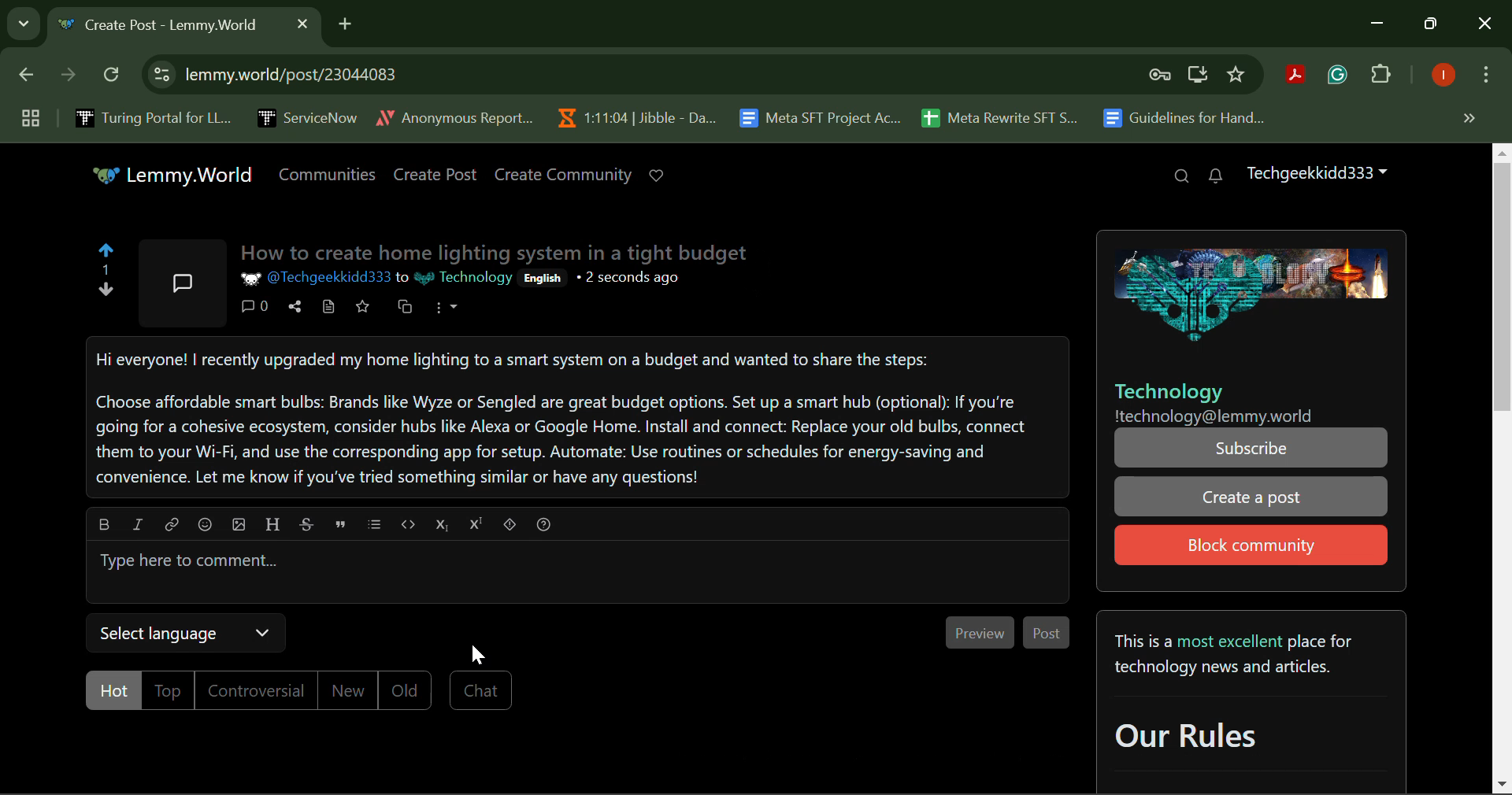 The image size is (1512, 795). Describe the element at coordinates (1249, 545) in the screenshot. I see `Block Community Button` at that location.